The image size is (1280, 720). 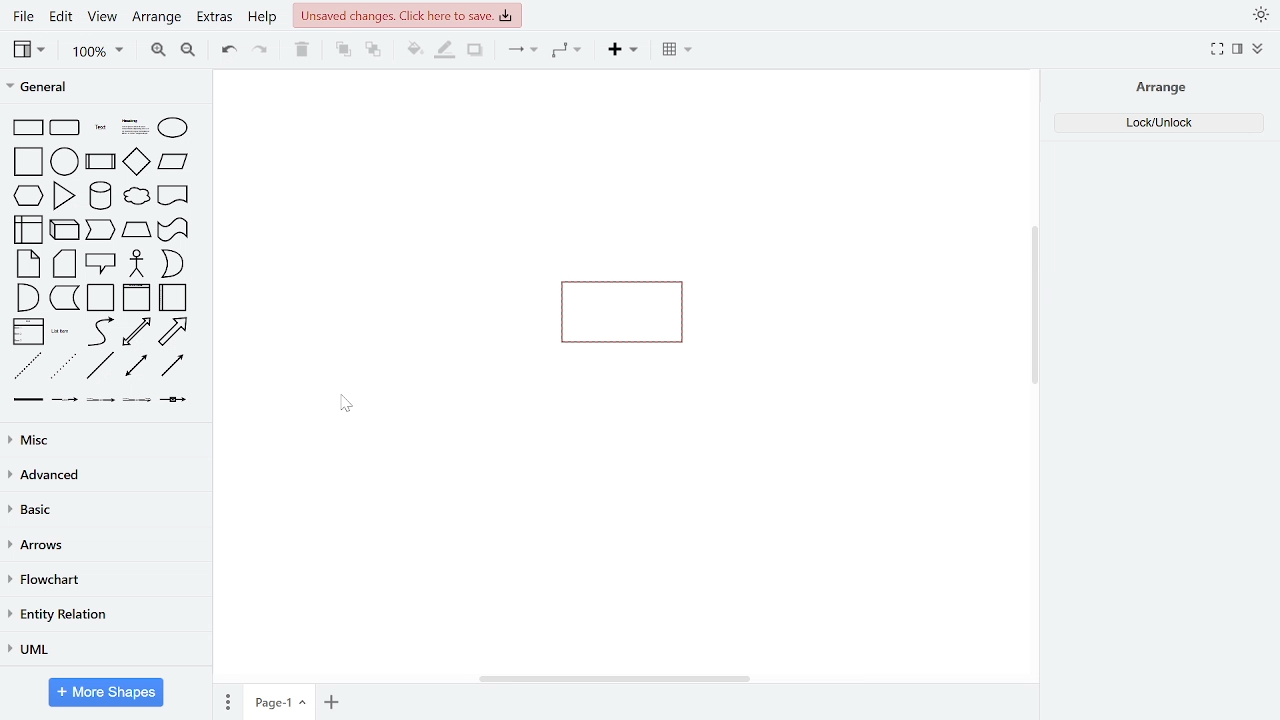 I want to click on advanced, so click(x=106, y=476).